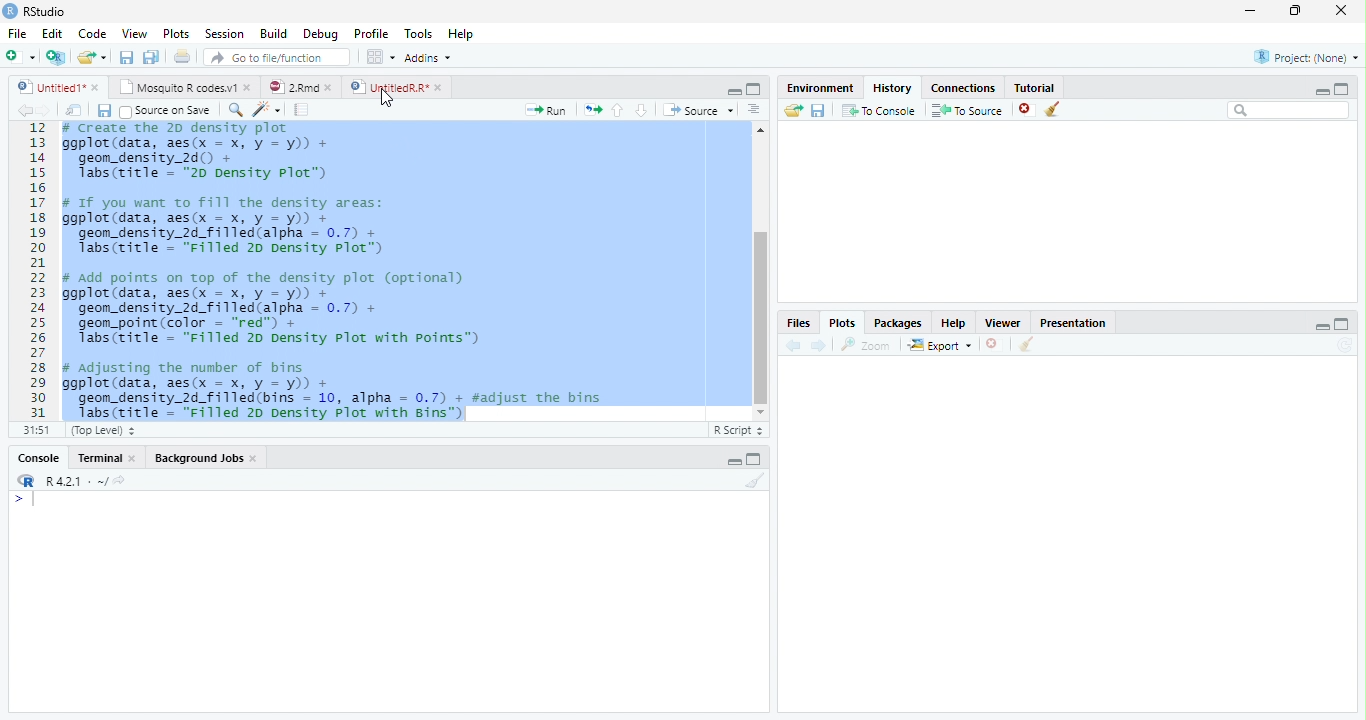 Image resolution: width=1366 pixels, height=720 pixels. I want to click on maximize, so click(1342, 88).